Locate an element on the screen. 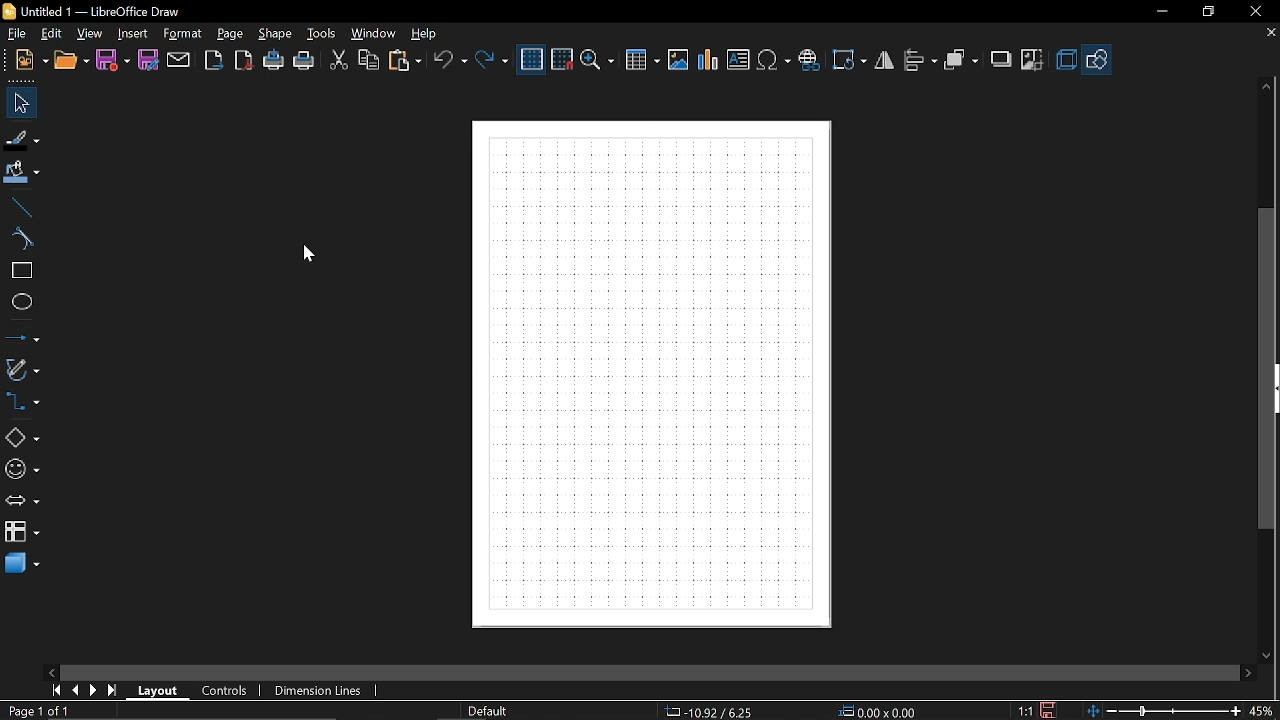  Scroll is located at coordinates (650, 670).